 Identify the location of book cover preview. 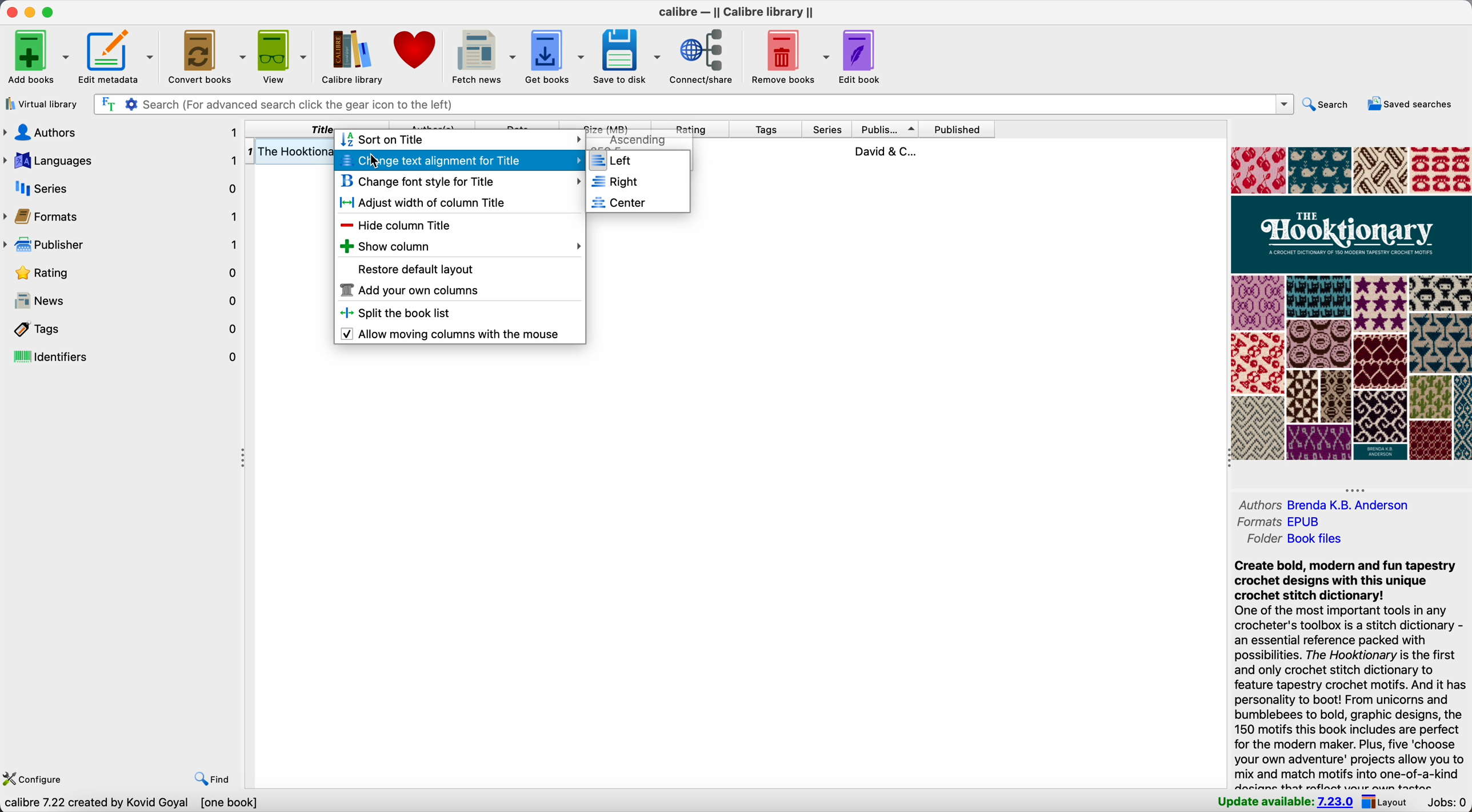
(1350, 303).